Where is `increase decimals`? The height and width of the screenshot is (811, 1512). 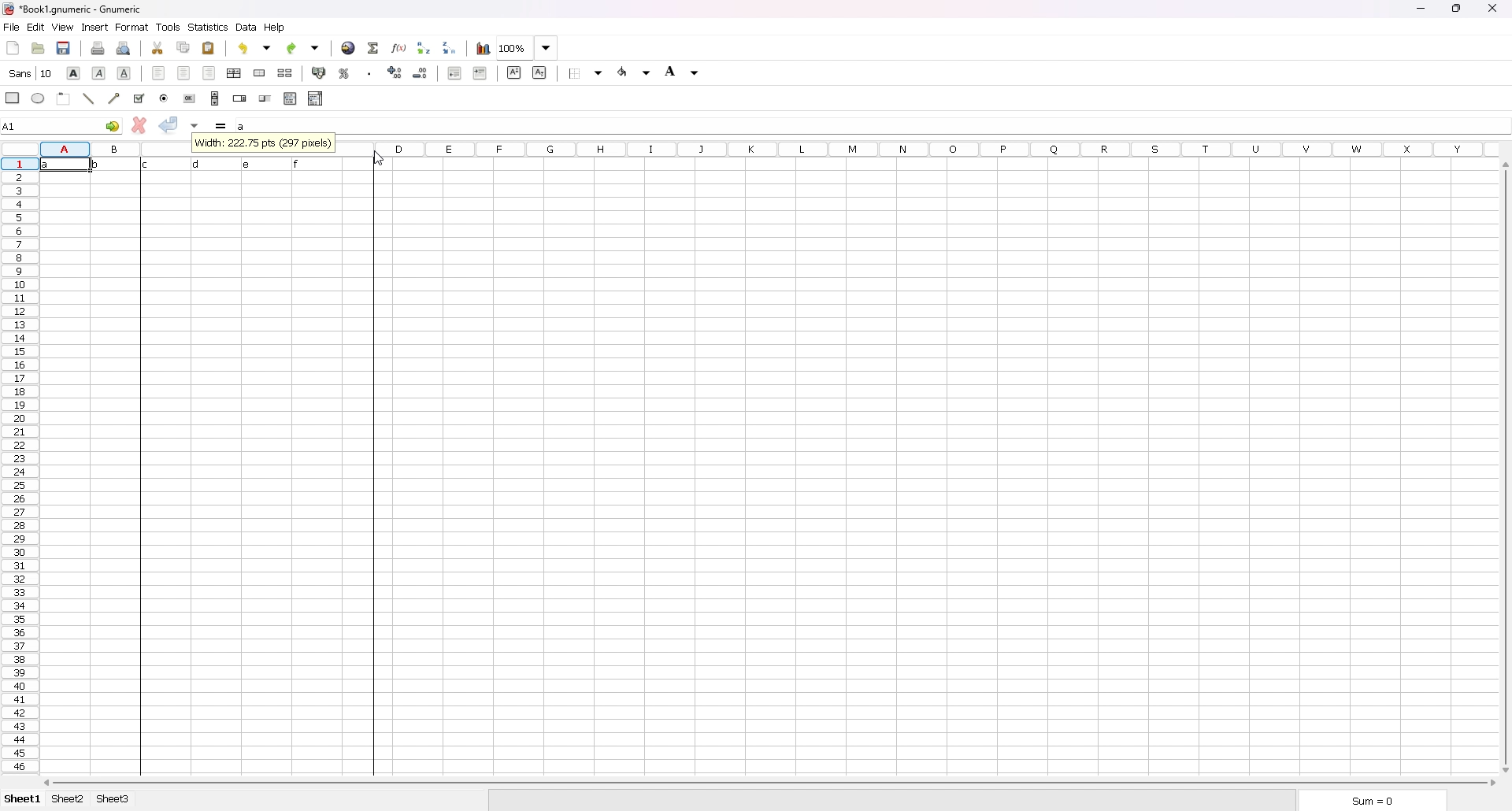 increase decimals is located at coordinates (396, 72).